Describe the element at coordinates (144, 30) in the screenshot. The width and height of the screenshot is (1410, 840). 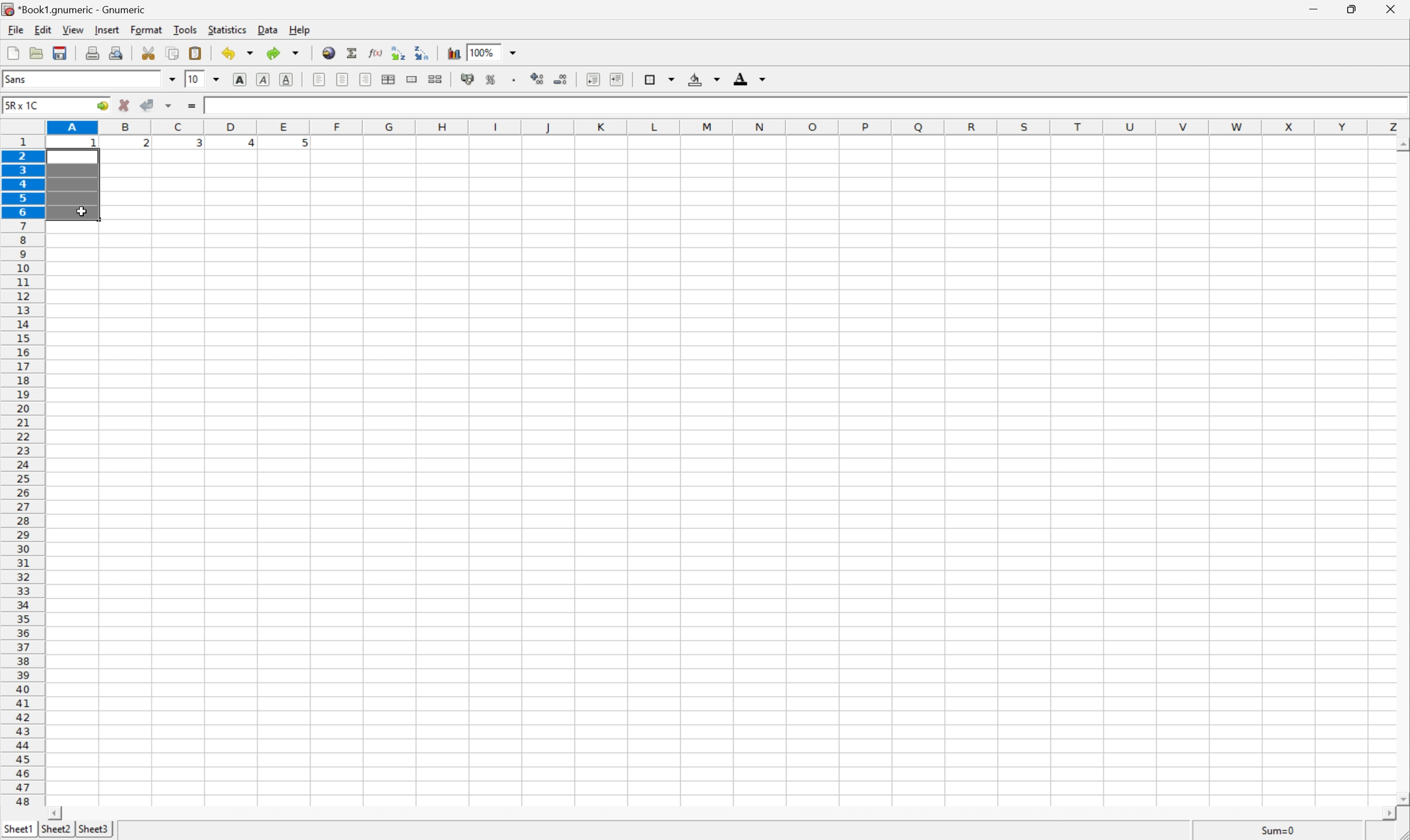
I see `format` at that location.